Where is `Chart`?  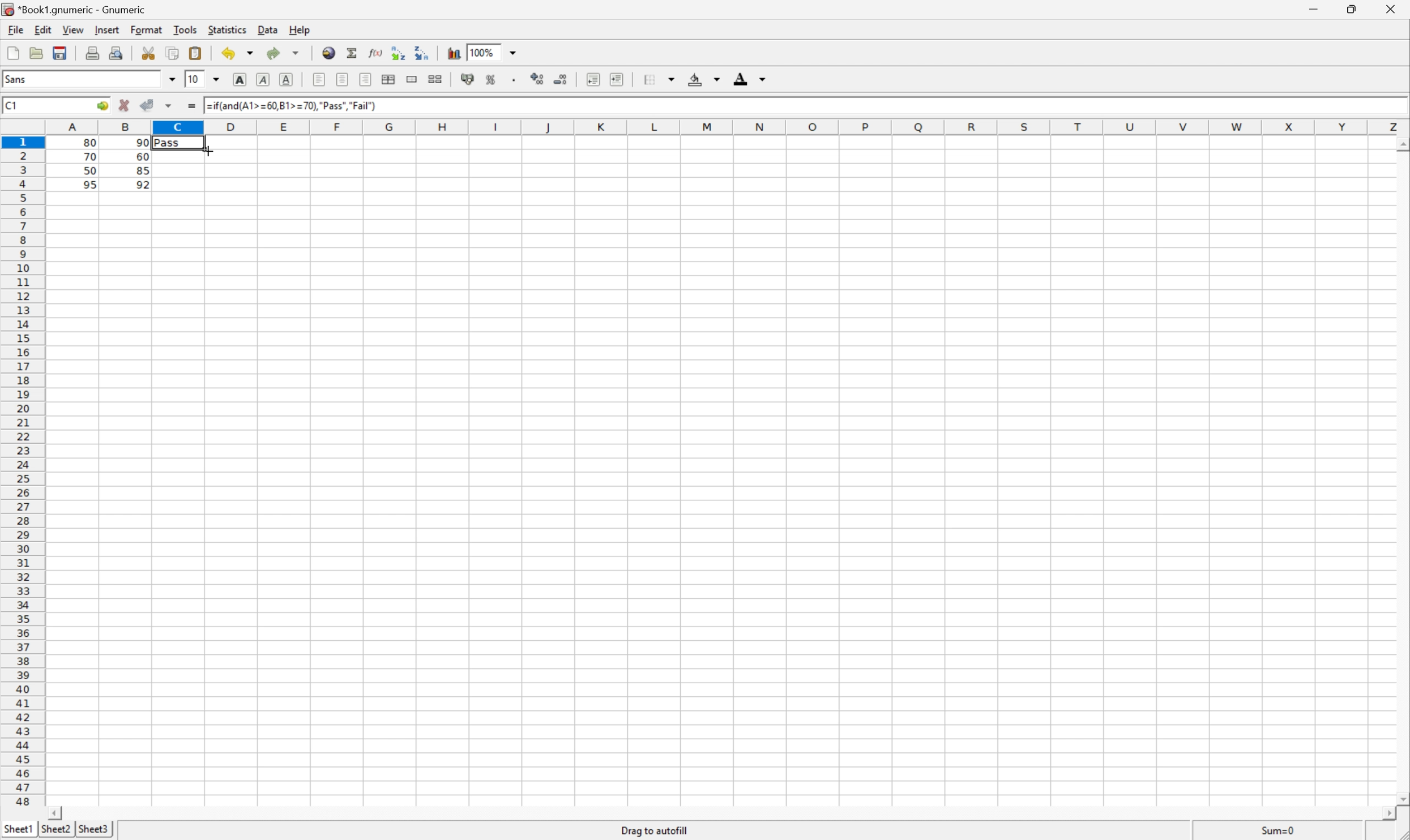 Chart is located at coordinates (451, 53).